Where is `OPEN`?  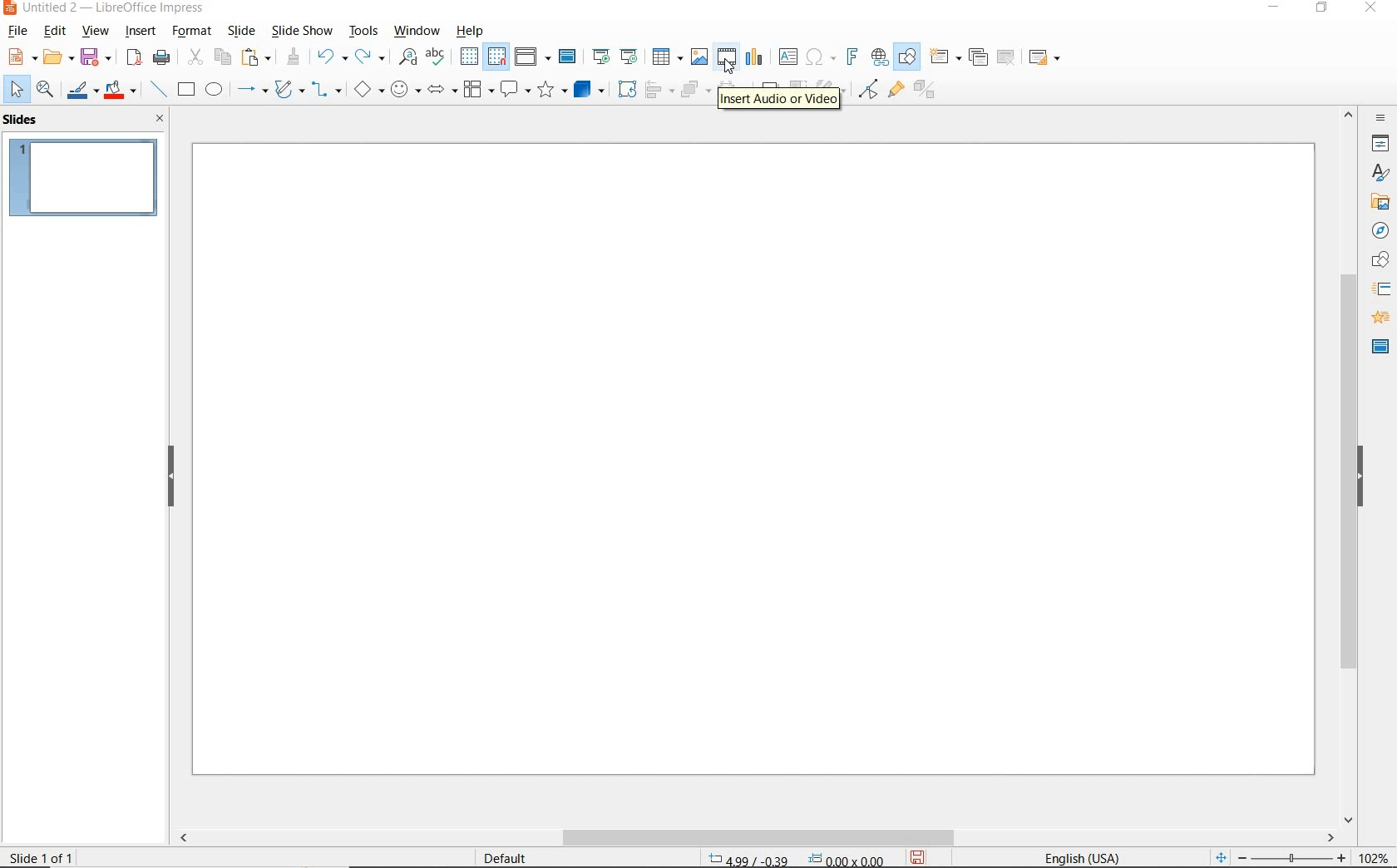 OPEN is located at coordinates (58, 58).